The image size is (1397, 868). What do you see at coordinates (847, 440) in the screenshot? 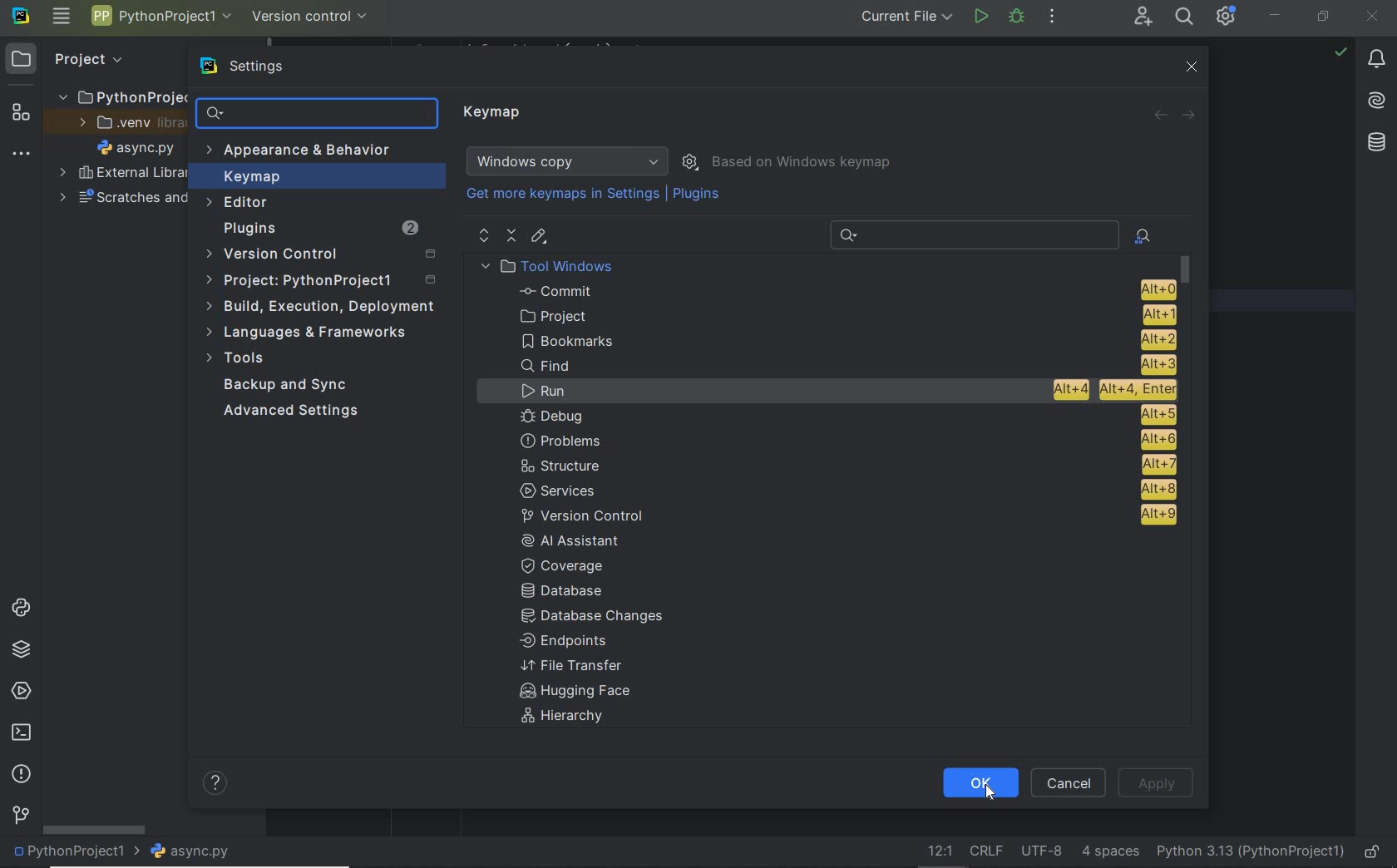
I see `problems` at bounding box center [847, 440].